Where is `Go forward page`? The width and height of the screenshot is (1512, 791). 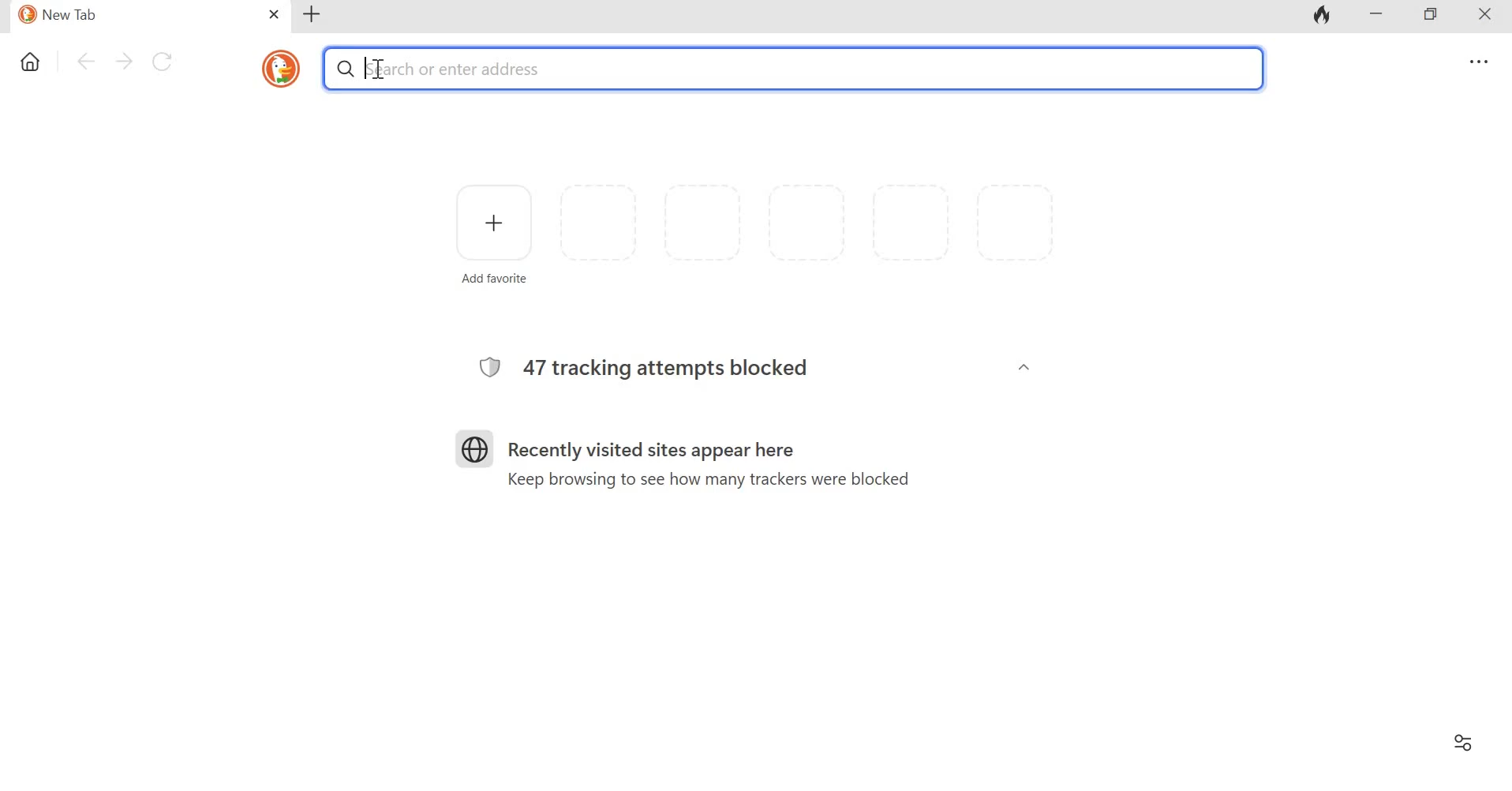 Go forward page is located at coordinates (124, 60).